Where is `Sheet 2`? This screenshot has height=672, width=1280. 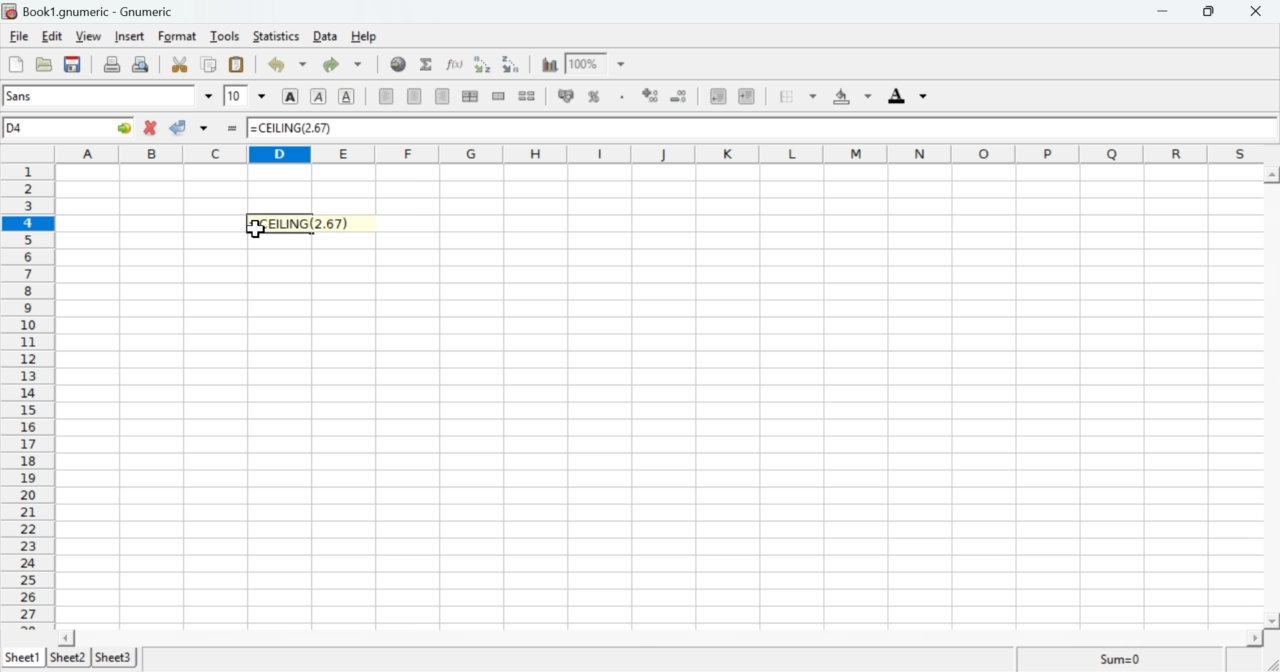
Sheet 2 is located at coordinates (70, 658).